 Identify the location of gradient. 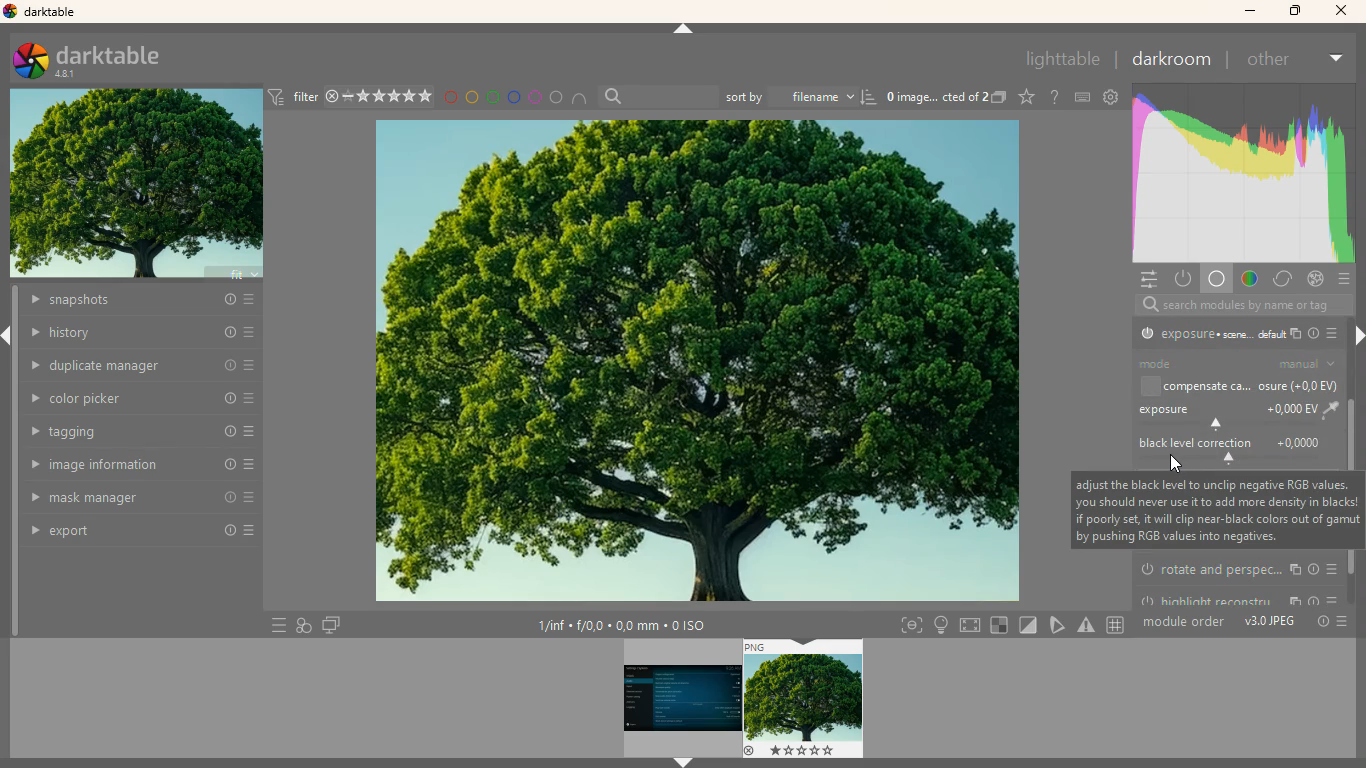
(1253, 279).